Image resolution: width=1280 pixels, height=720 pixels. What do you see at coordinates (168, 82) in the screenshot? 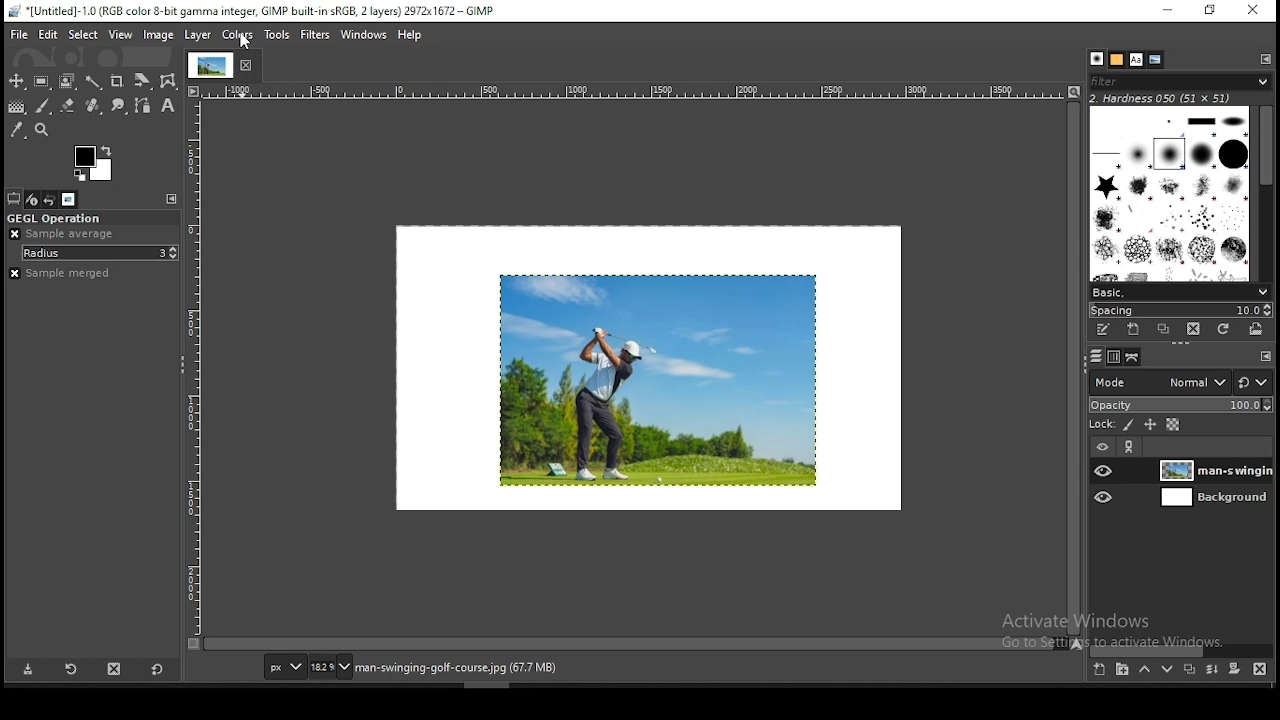
I see `wrap transform` at bounding box center [168, 82].